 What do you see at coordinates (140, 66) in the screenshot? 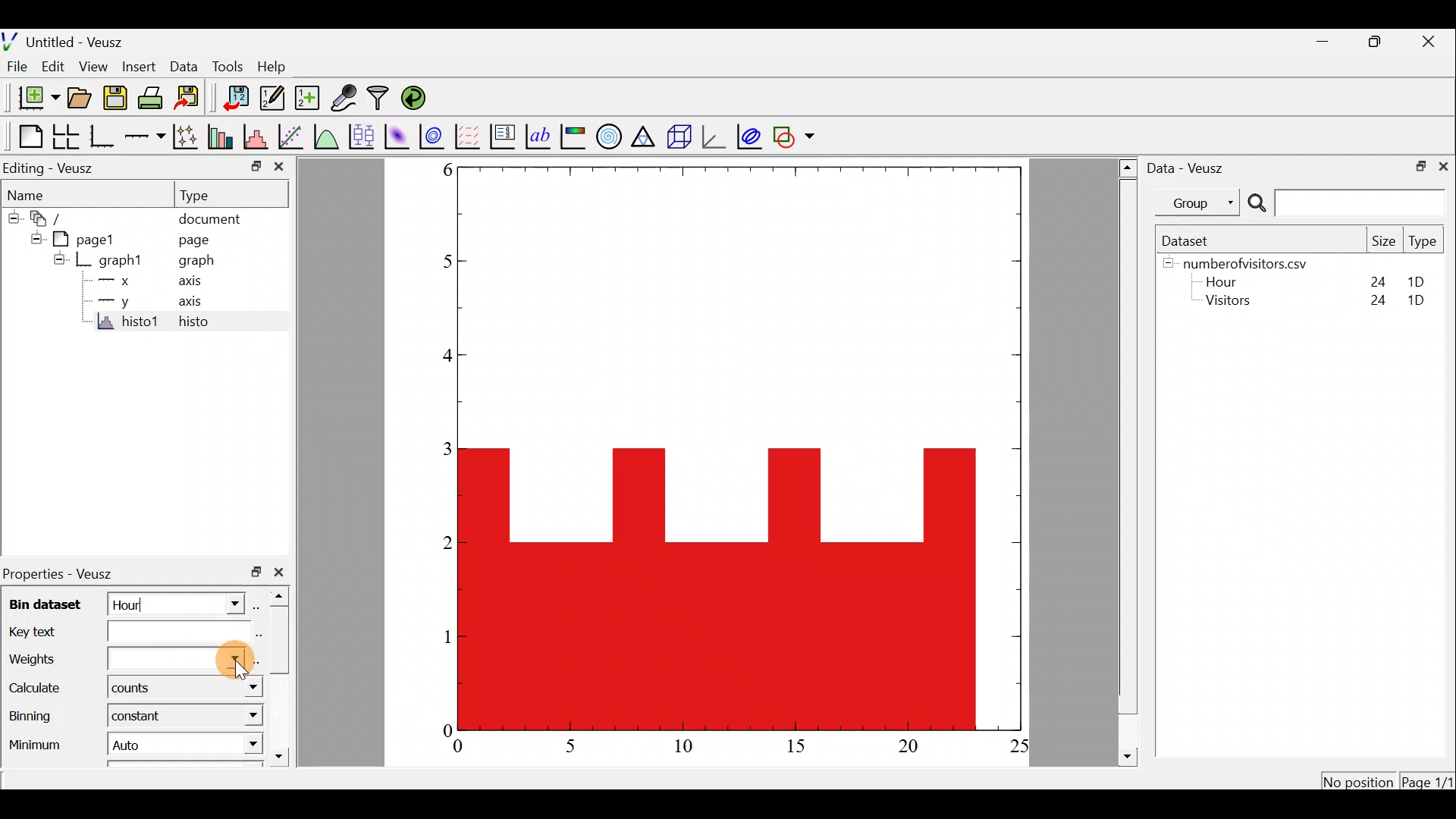
I see `Insert` at bounding box center [140, 66].